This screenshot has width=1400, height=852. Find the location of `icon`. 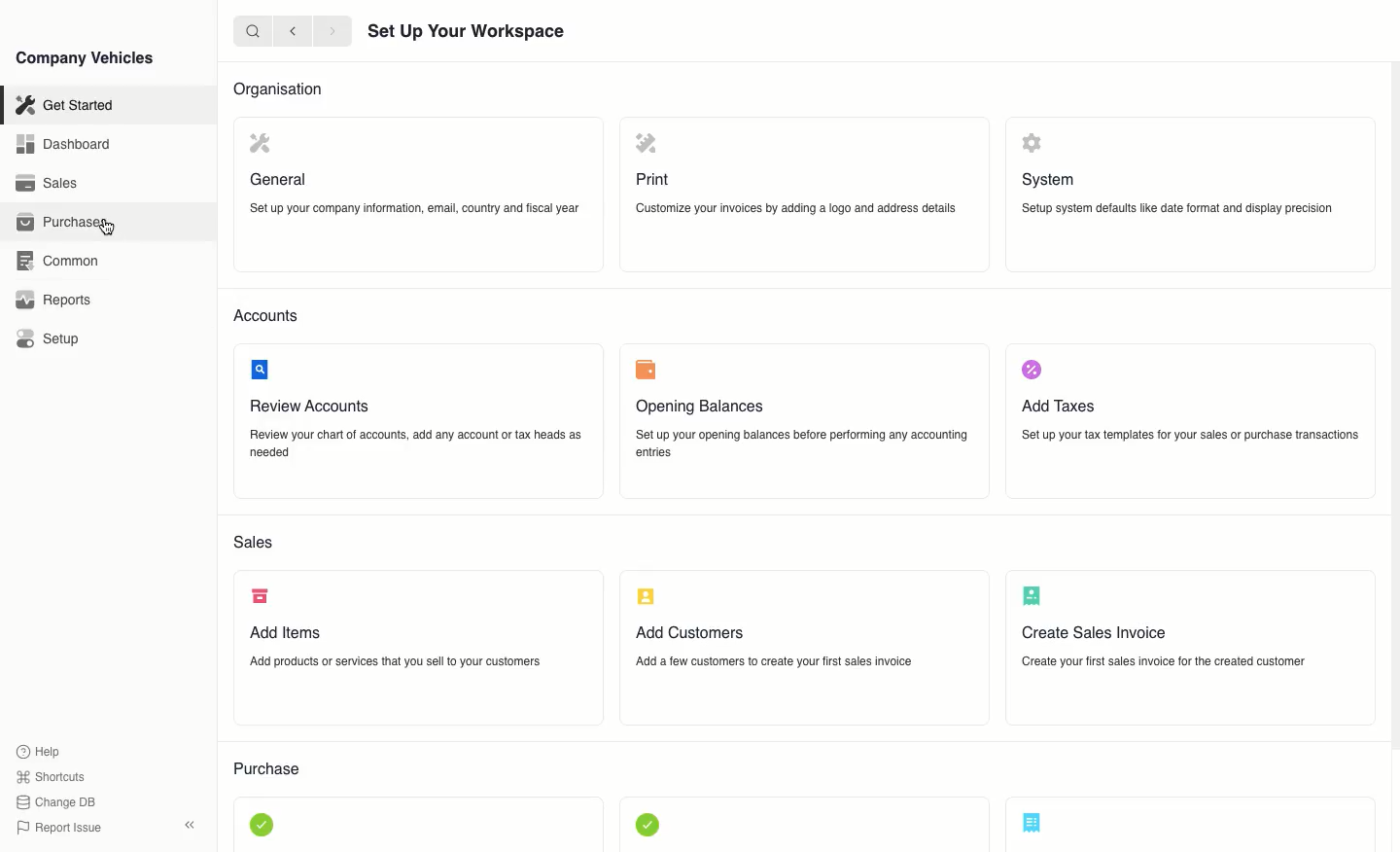

icon is located at coordinates (1032, 594).